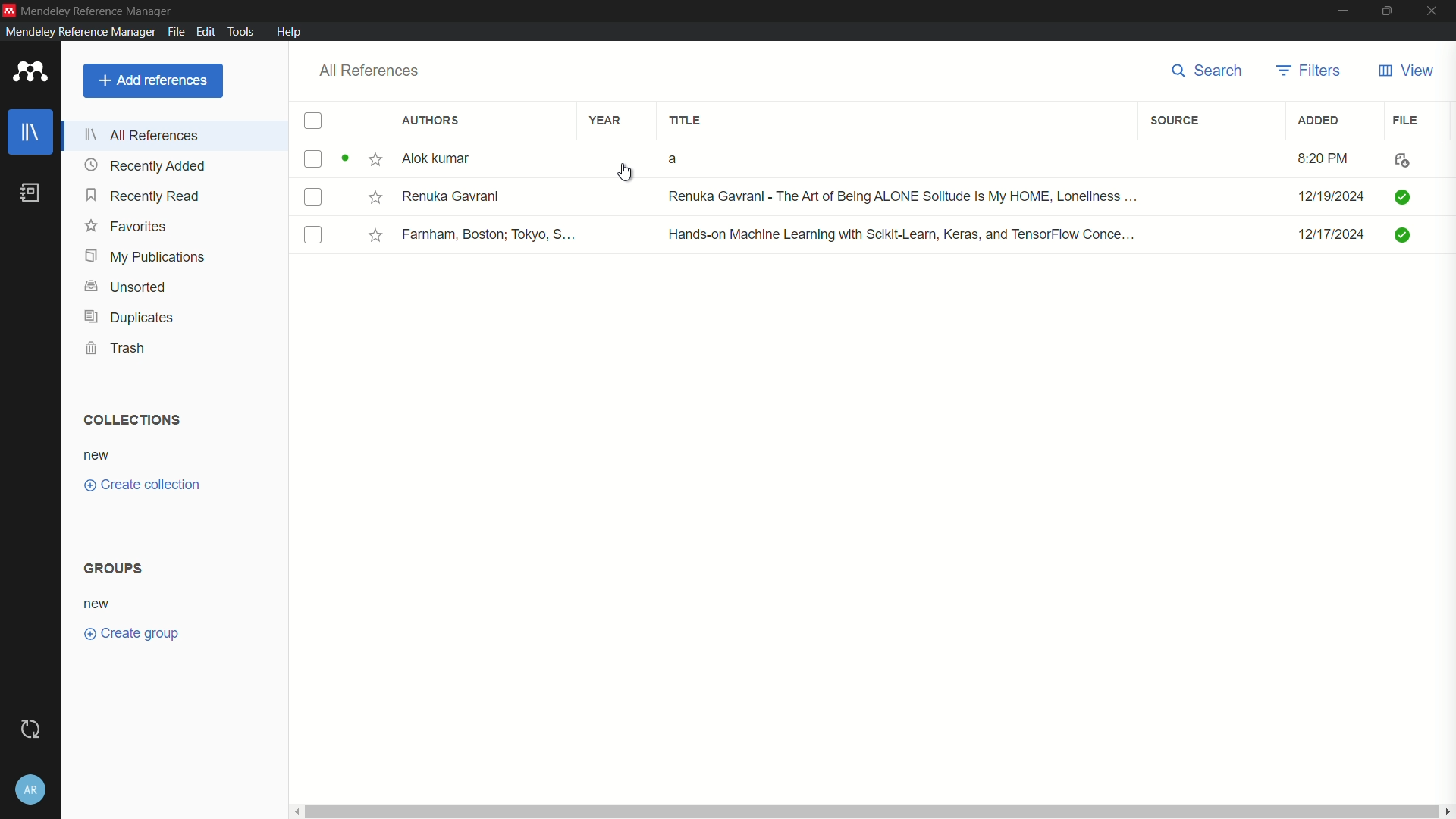 Image resolution: width=1456 pixels, height=819 pixels. Describe the element at coordinates (865, 159) in the screenshot. I see `book-1` at that location.